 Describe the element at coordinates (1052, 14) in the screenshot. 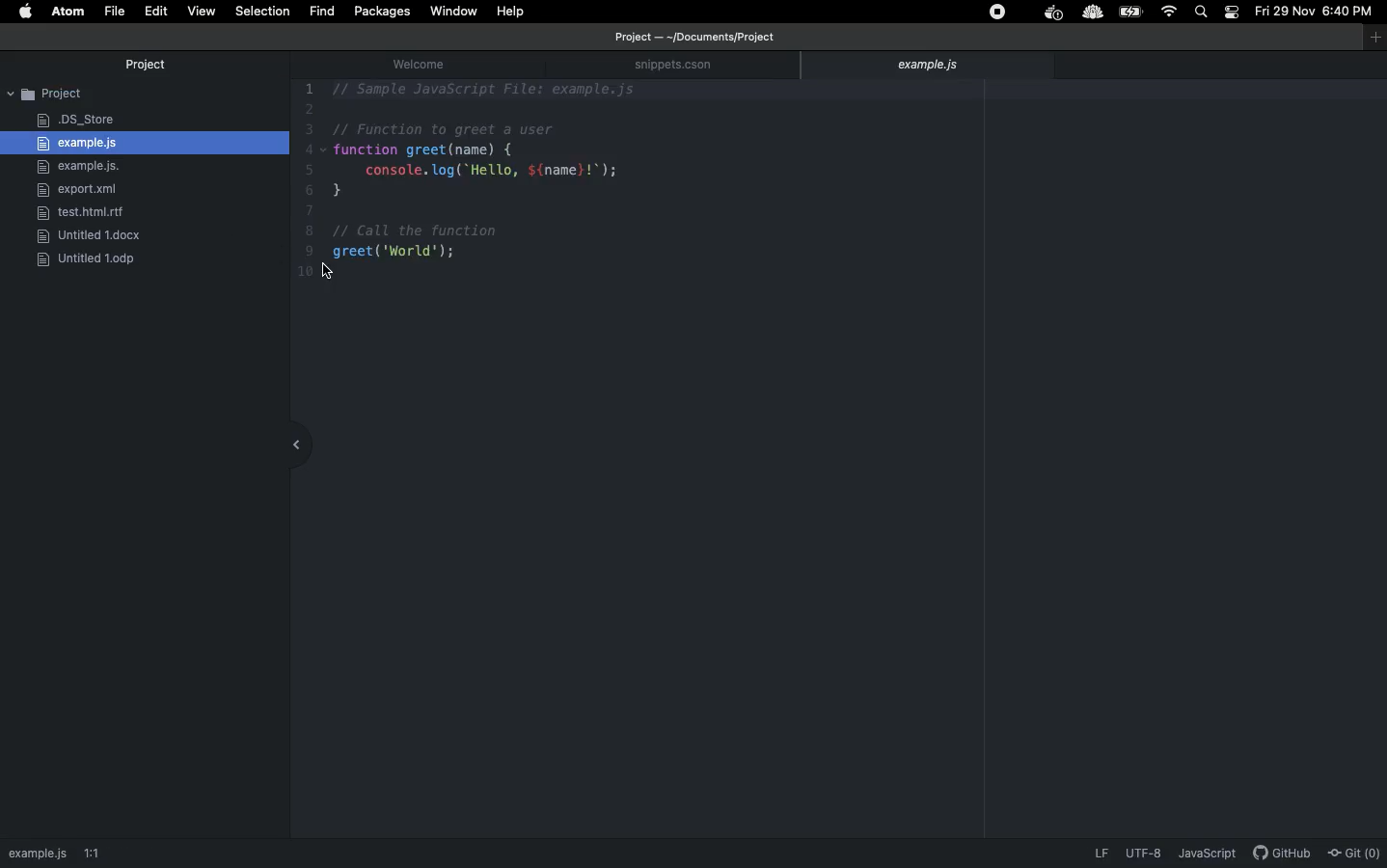

I see `extension` at that location.